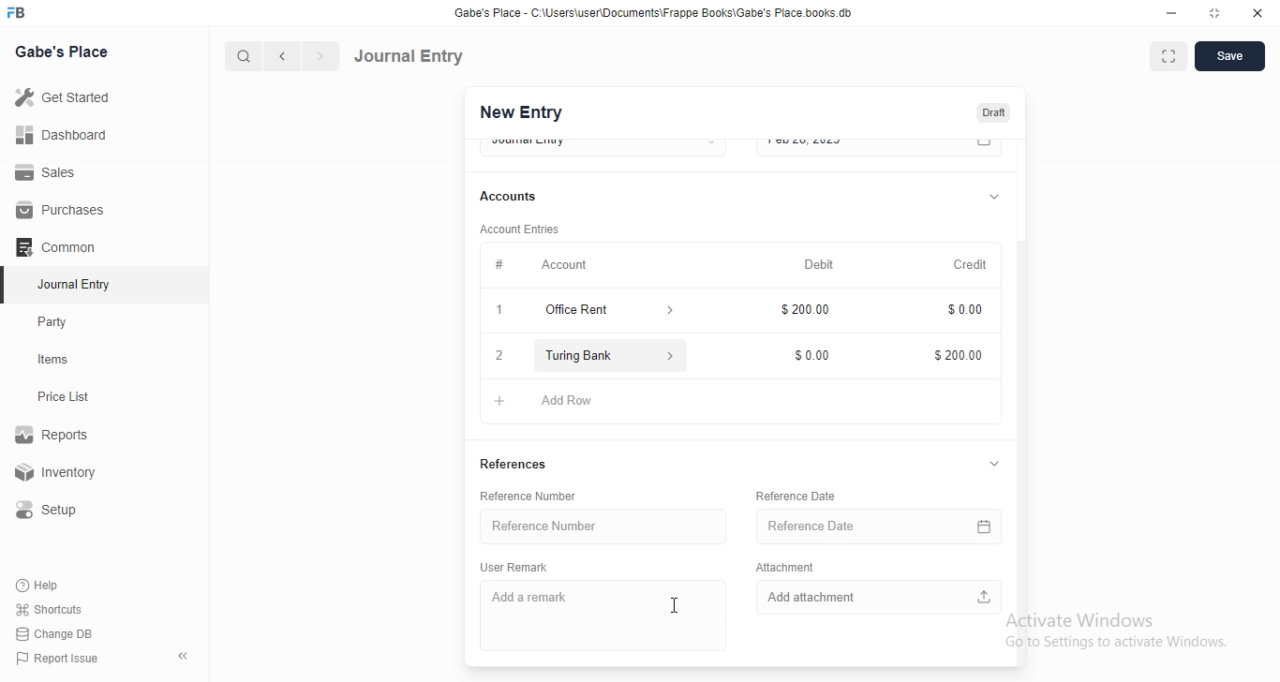 The width and height of the screenshot is (1280, 682). I want to click on Setup, so click(54, 510).